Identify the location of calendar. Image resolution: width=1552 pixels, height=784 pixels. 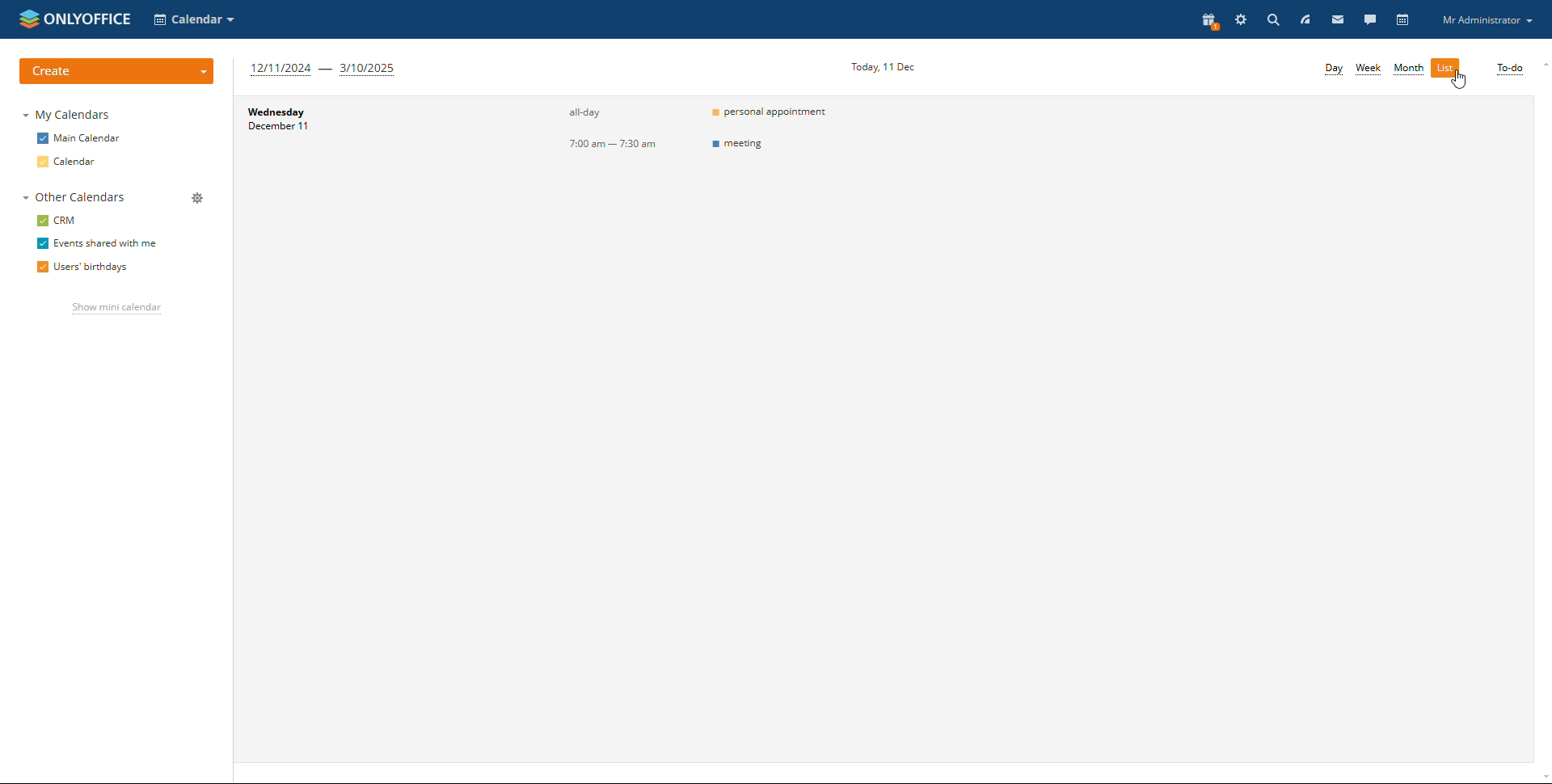
(1403, 19).